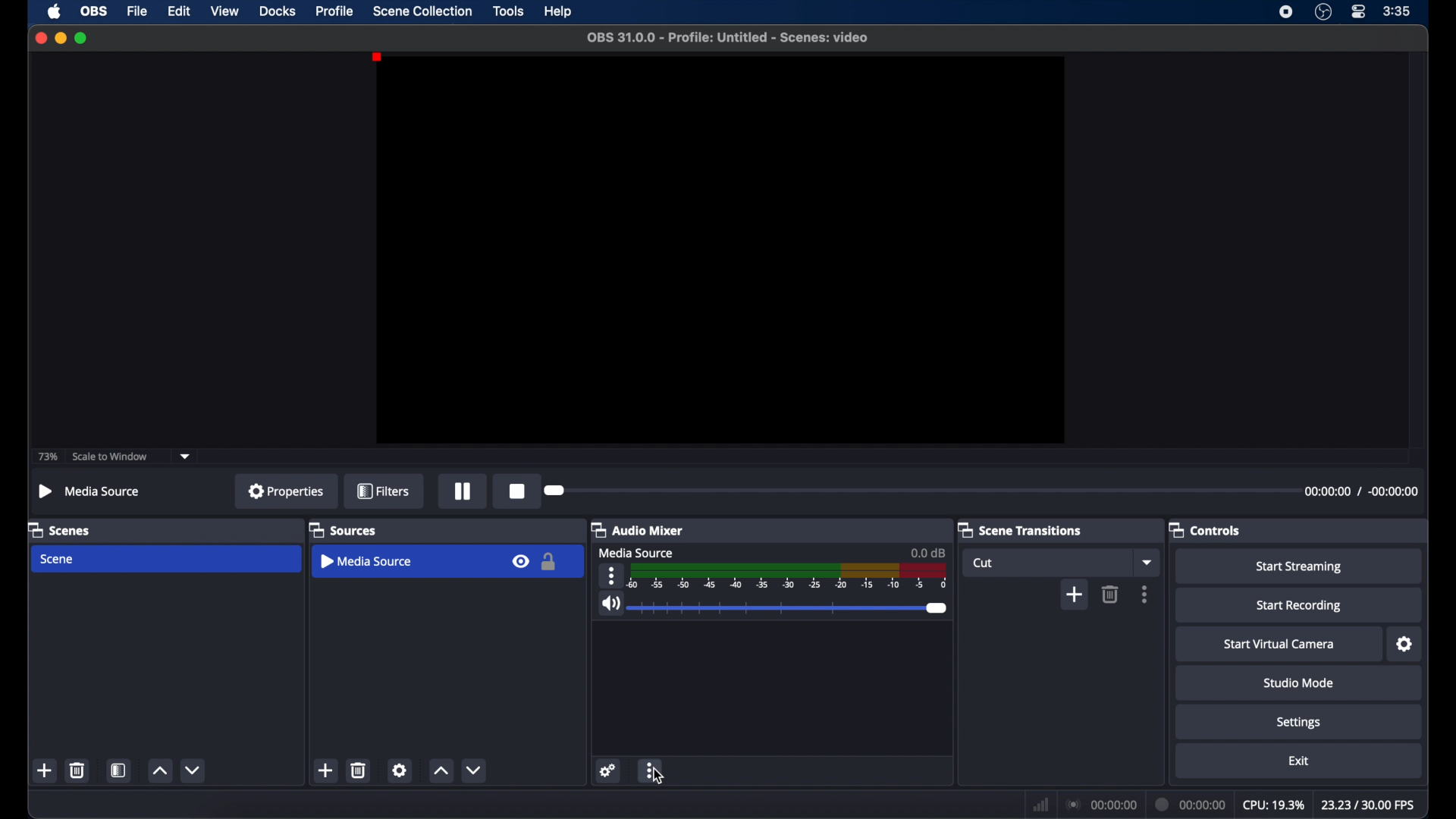 This screenshot has width=1456, height=819. I want to click on edit, so click(179, 11).